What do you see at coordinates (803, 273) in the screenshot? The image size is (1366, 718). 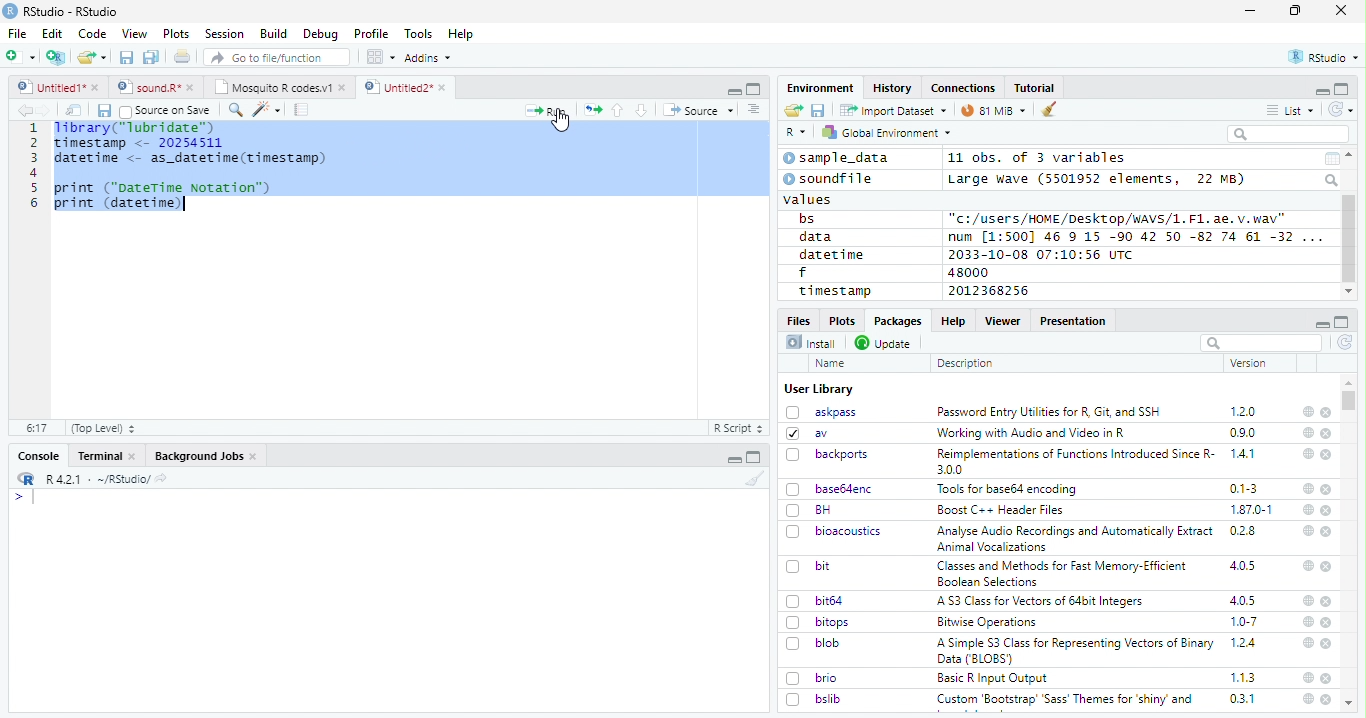 I see `f` at bounding box center [803, 273].